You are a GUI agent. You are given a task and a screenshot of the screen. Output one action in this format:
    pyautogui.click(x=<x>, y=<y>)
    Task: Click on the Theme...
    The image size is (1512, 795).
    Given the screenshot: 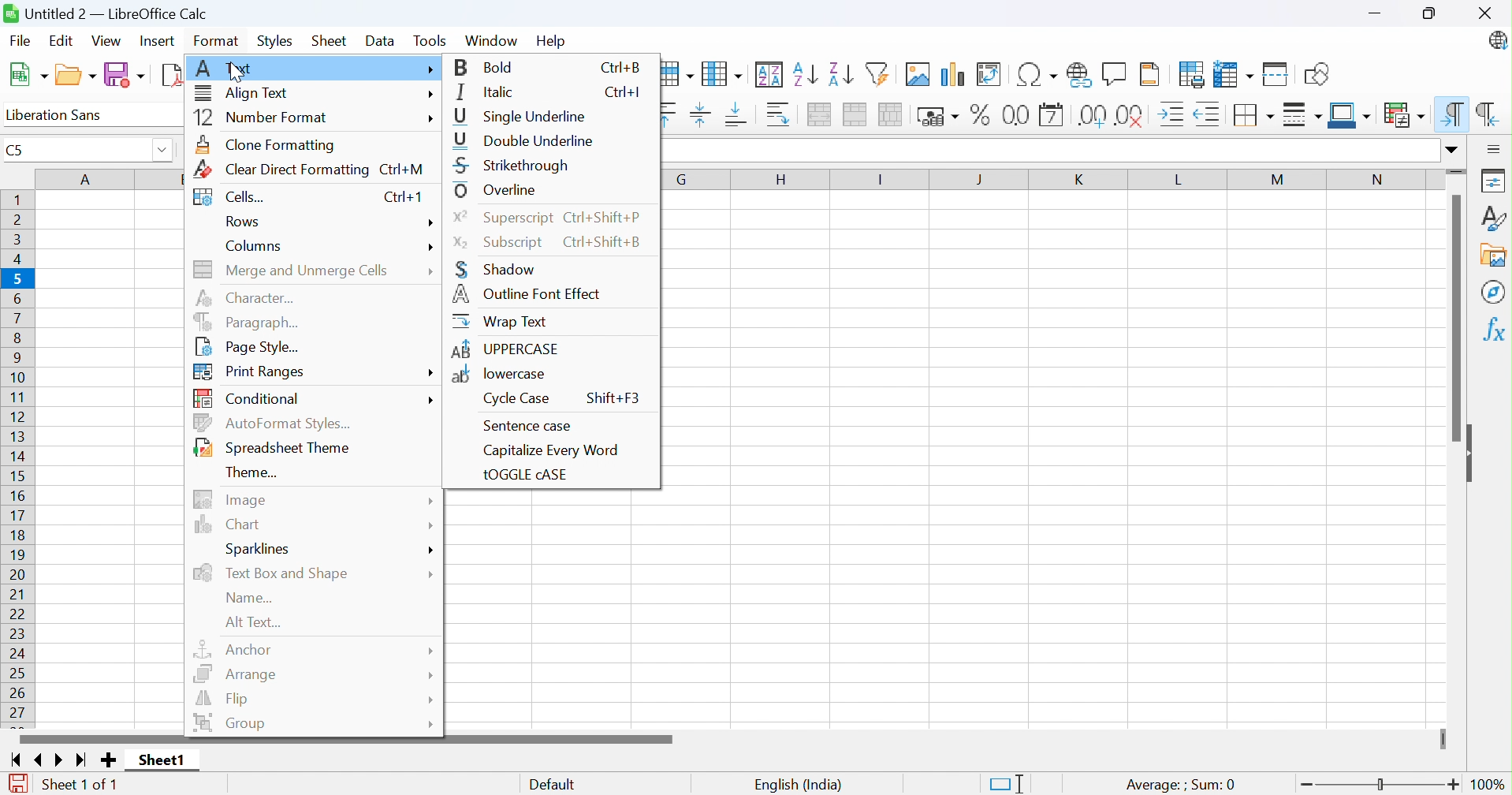 What is the action you would take?
    pyautogui.click(x=251, y=472)
    